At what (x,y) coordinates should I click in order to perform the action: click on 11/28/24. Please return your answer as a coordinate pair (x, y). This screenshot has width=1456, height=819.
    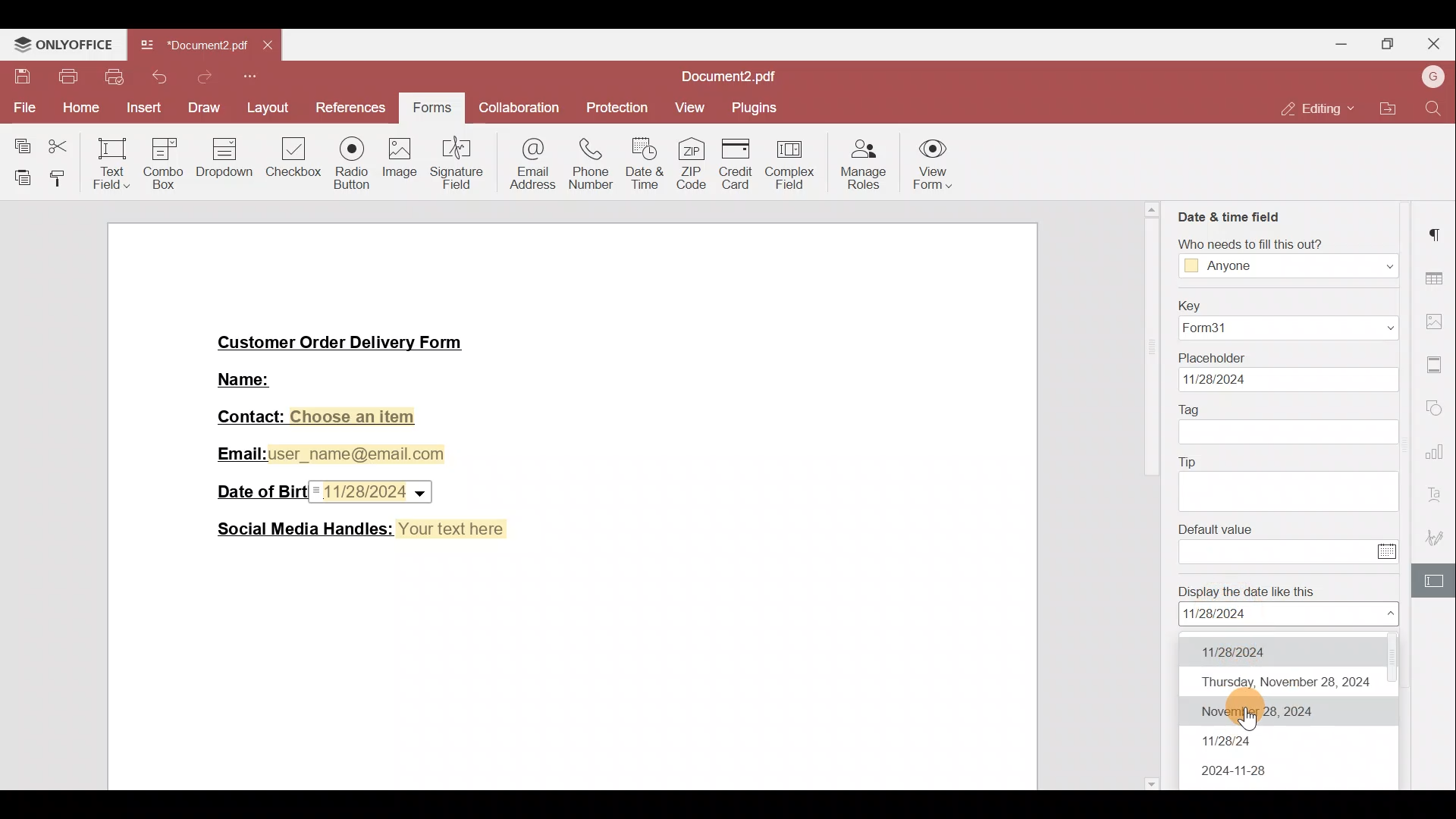
    Looking at the image, I should click on (1232, 742).